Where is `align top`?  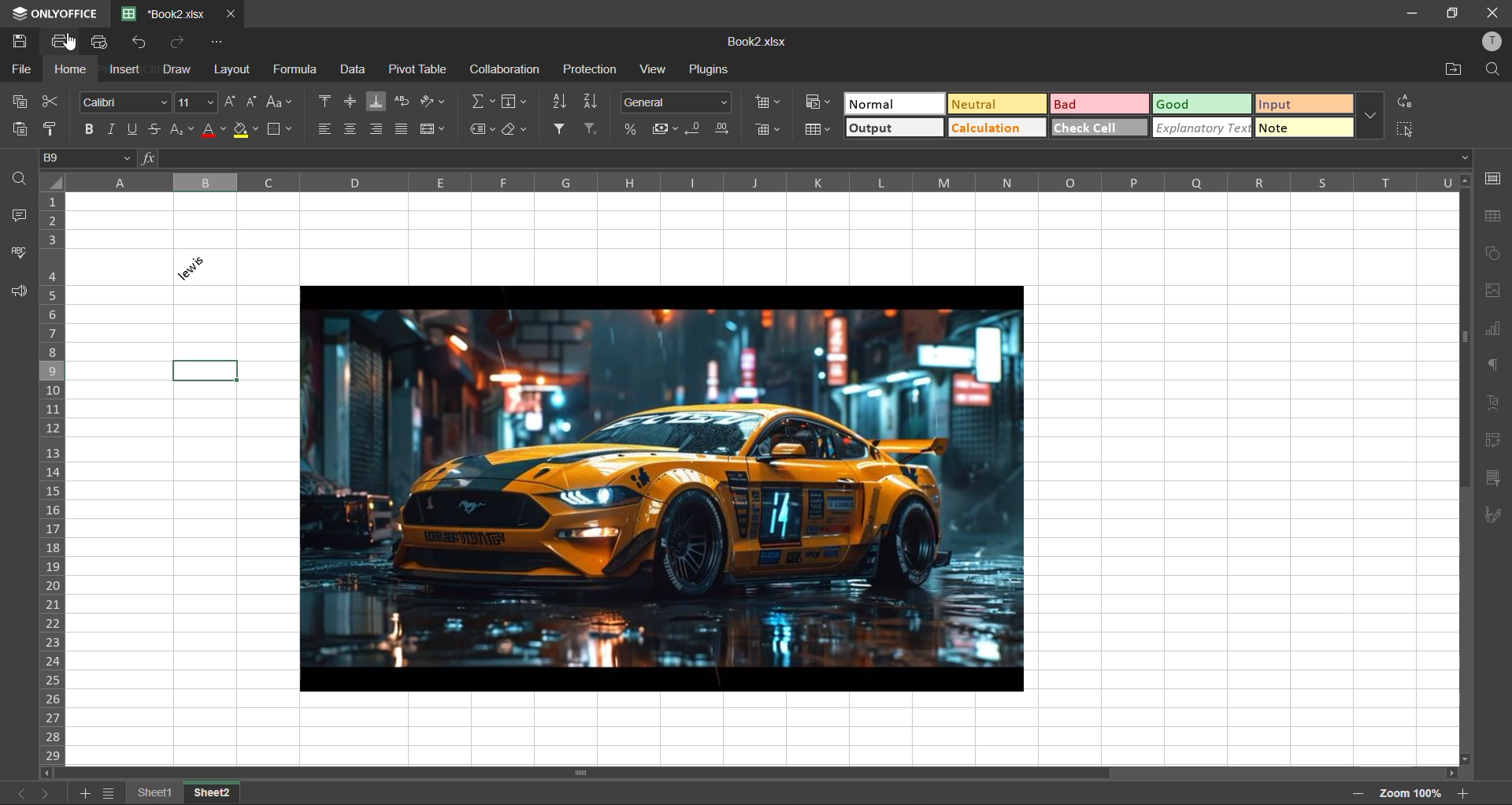
align top is located at coordinates (326, 99).